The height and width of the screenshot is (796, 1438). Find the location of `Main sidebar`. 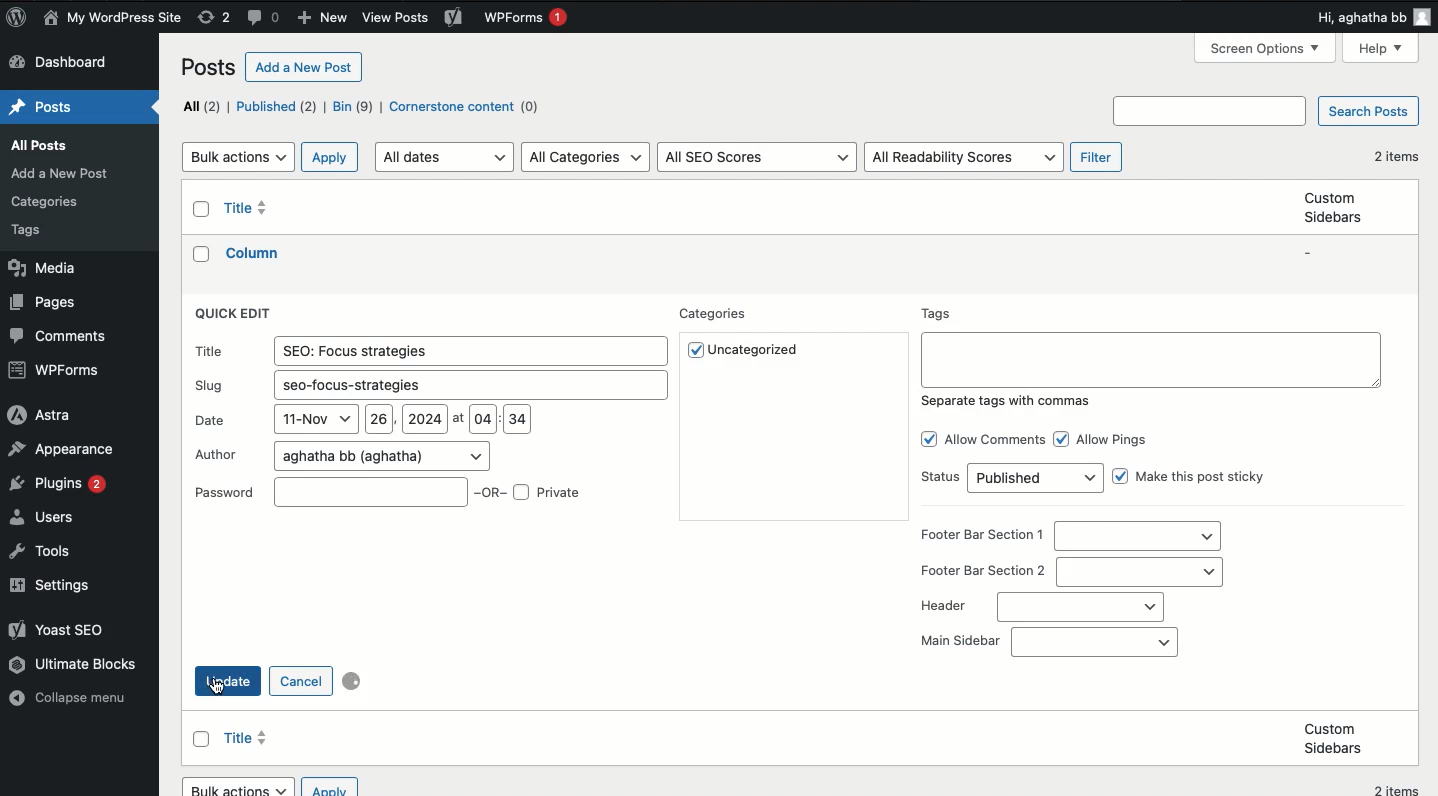

Main sidebar is located at coordinates (1093, 642).